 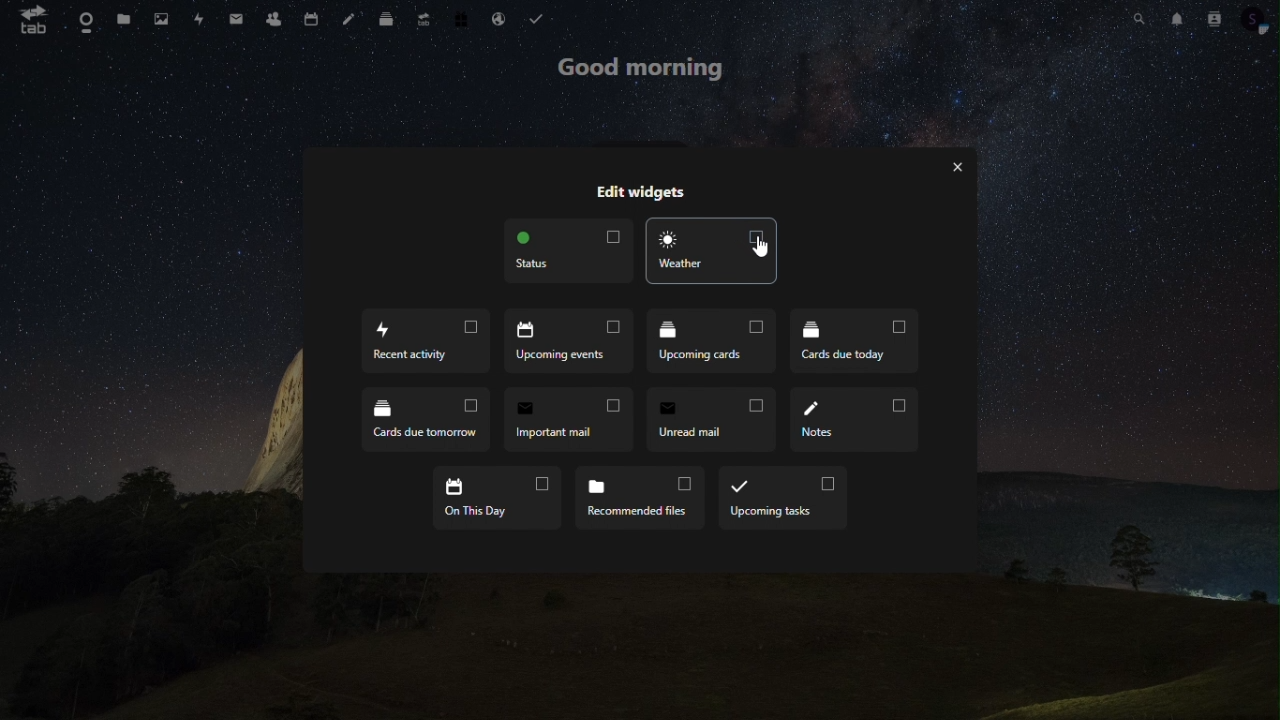 I want to click on unread mail, so click(x=717, y=419).